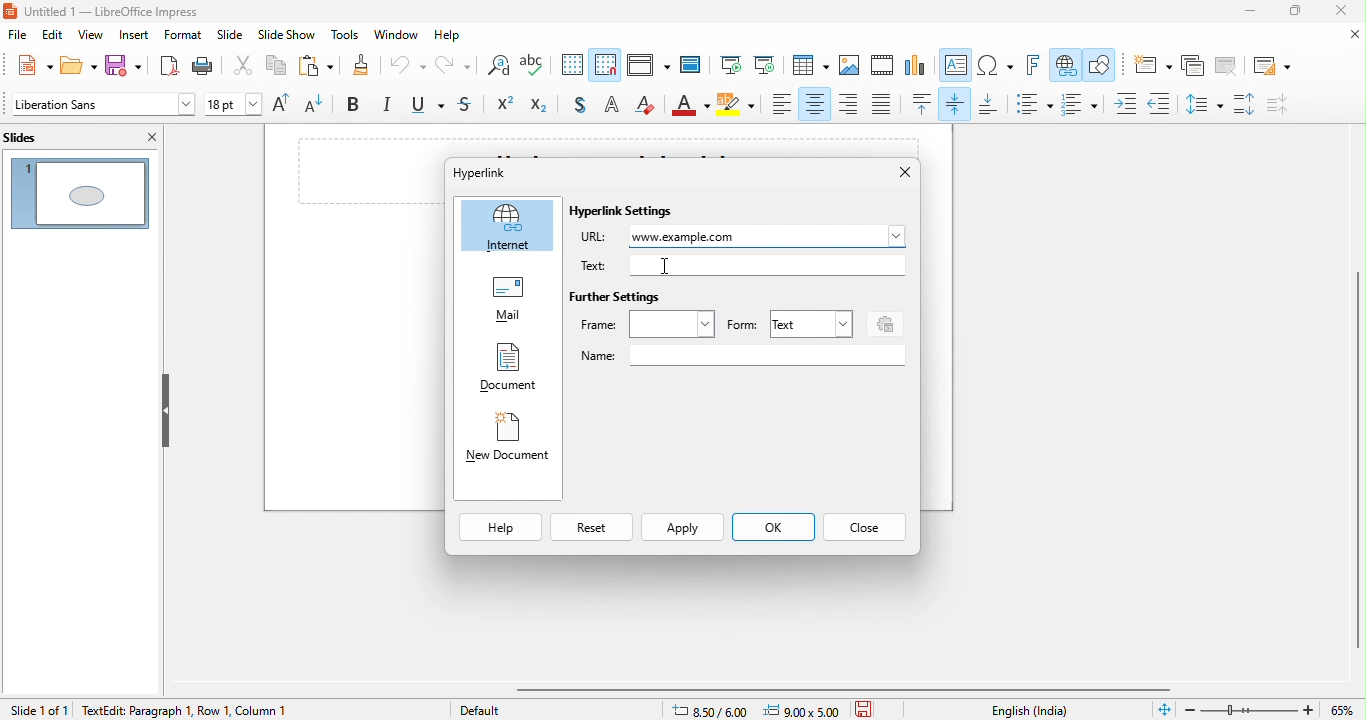 This screenshot has height=720, width=1366. What do you see at coordinates (38, 136) in the screenshot?
I see `slides` at bounding box center [38, 136].